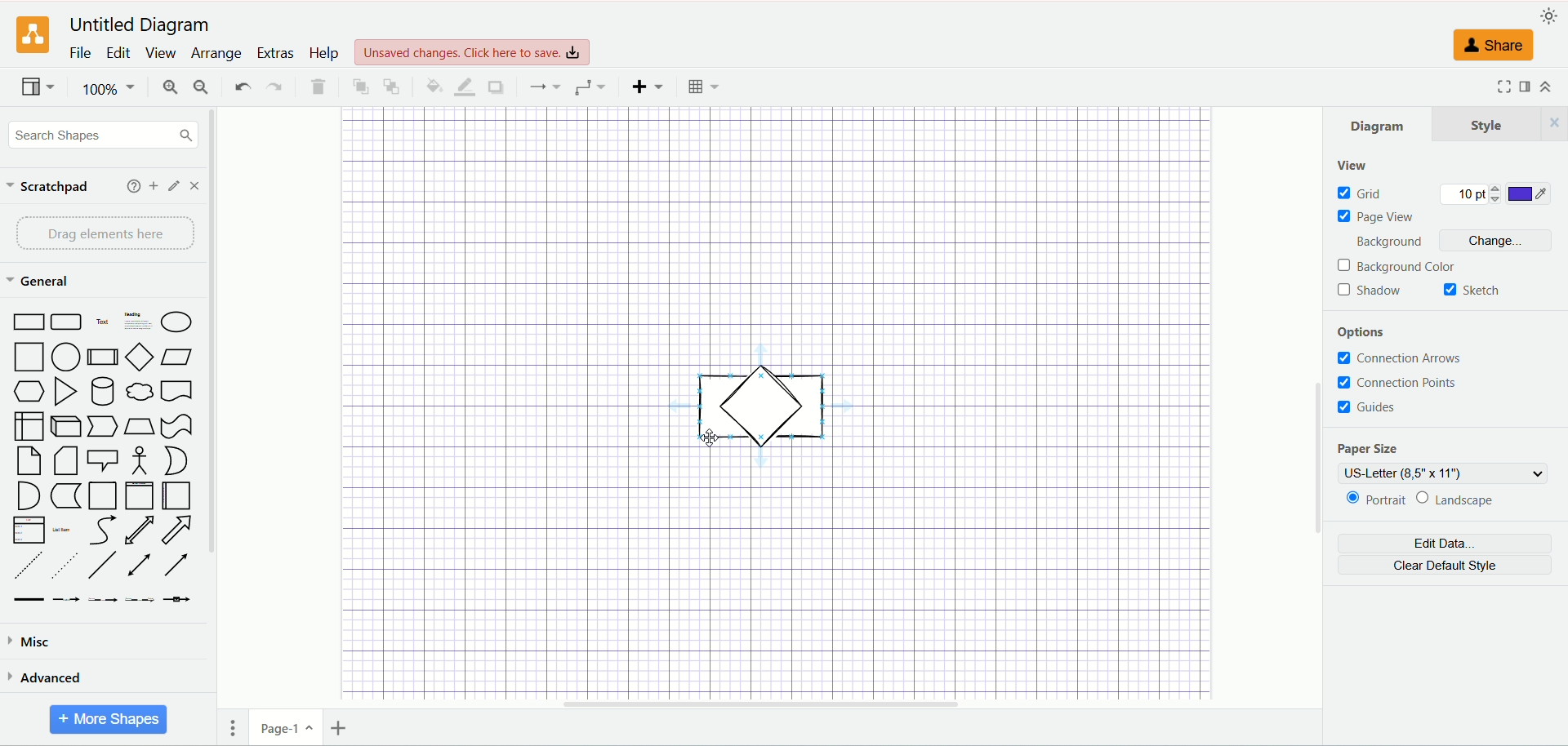 This screenshot has height=746, width=1568. I want to click on paper size, so click(1371, 449).